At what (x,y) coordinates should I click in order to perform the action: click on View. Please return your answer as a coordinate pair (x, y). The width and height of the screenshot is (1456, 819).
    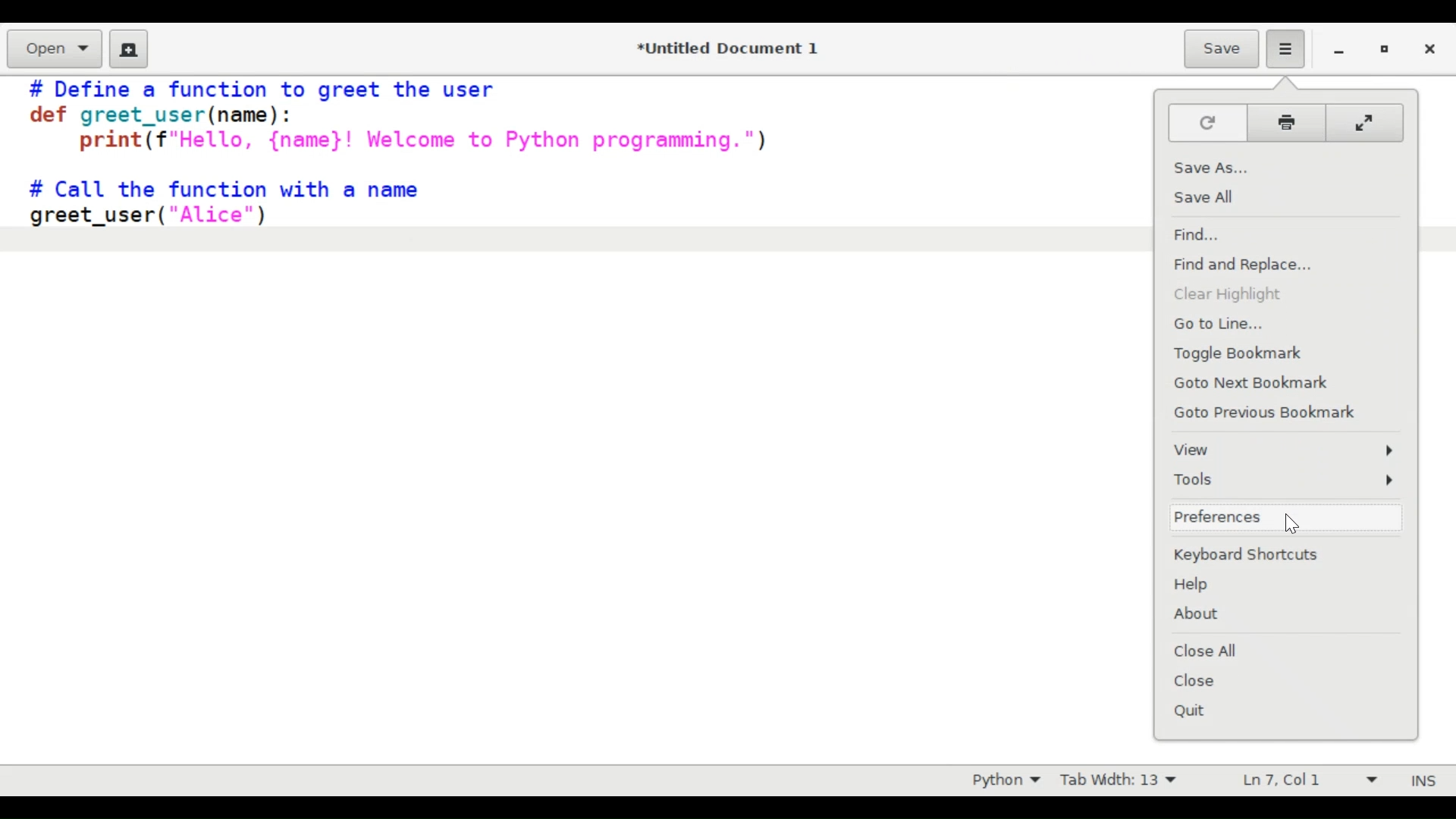
    Looking at the image, I should click on (1282, 449).